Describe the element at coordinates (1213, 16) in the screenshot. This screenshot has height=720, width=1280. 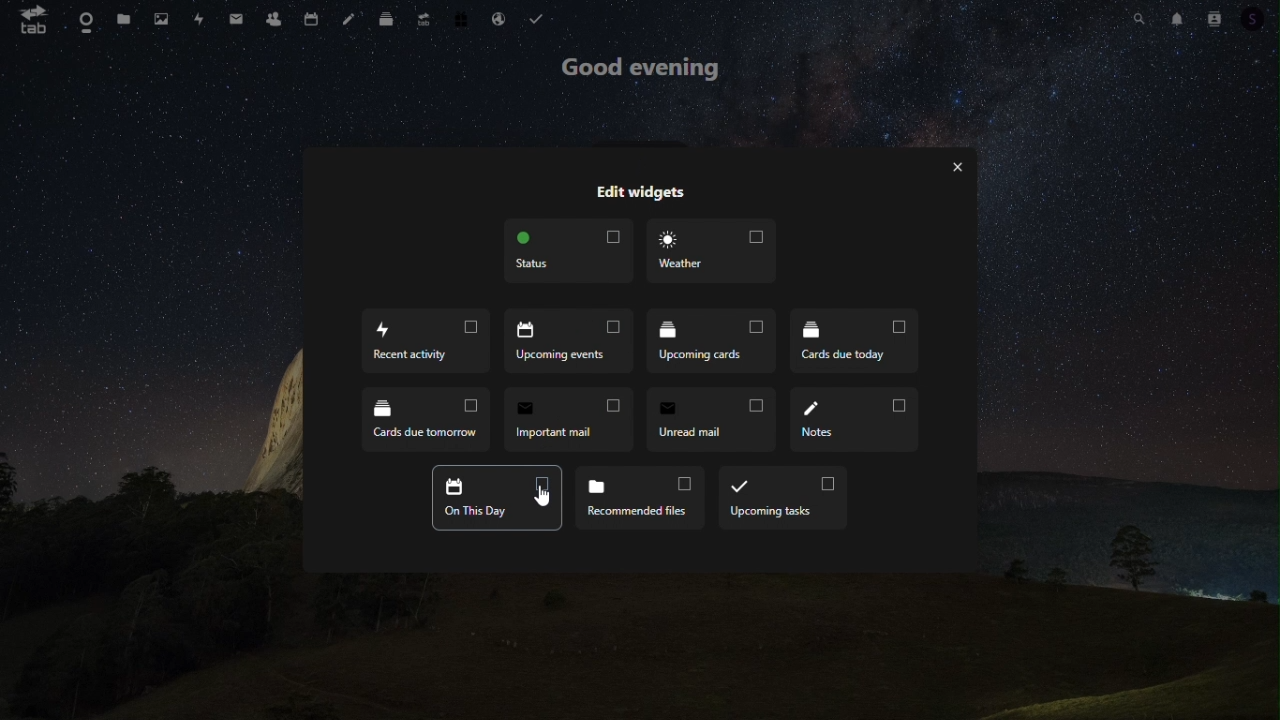
I see `Contacts` at that location.